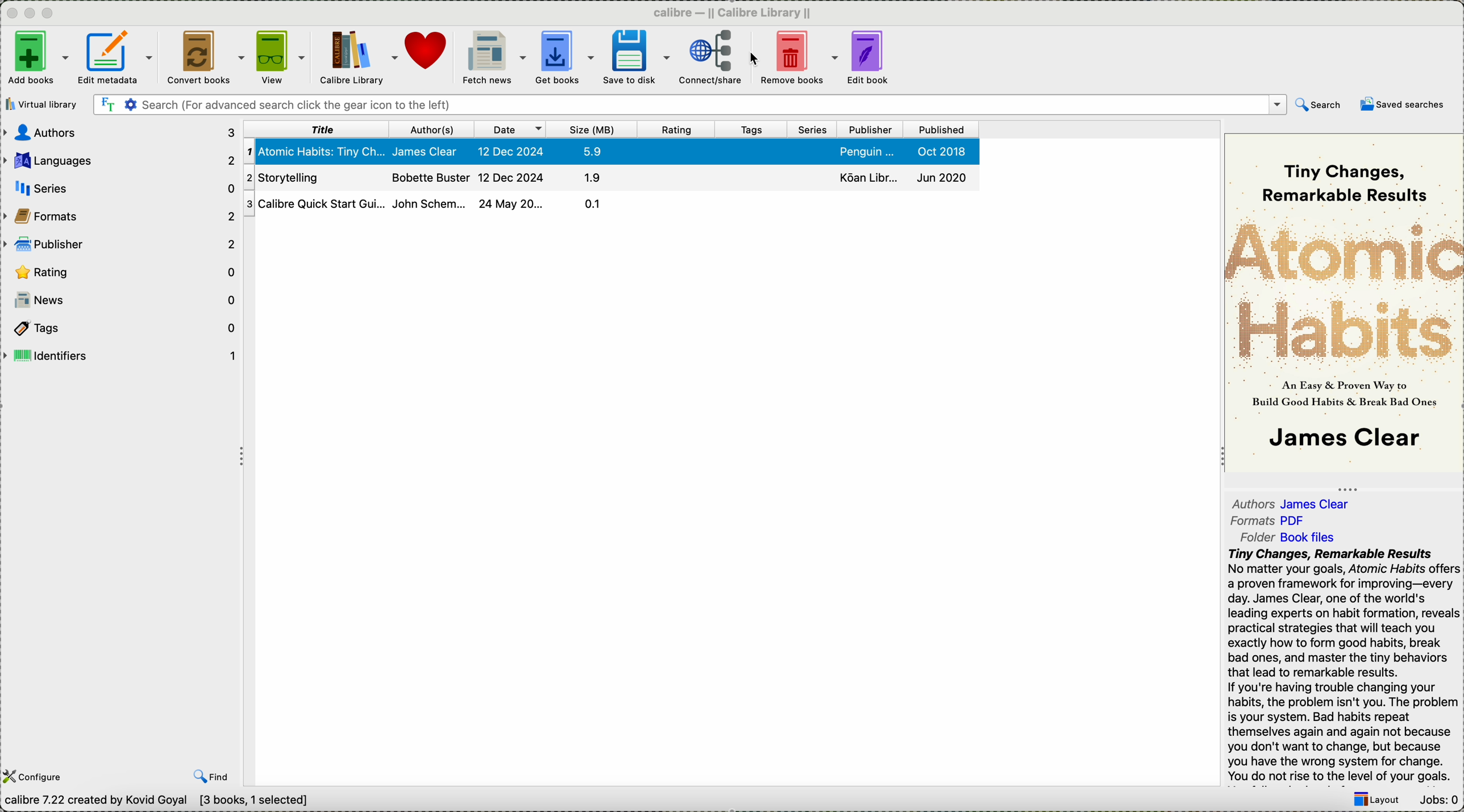 The height and width of the screenshot is (812, 1464). Describe the element at coordinates (688, 105) in the screenshot. I see `search bar` at that location.